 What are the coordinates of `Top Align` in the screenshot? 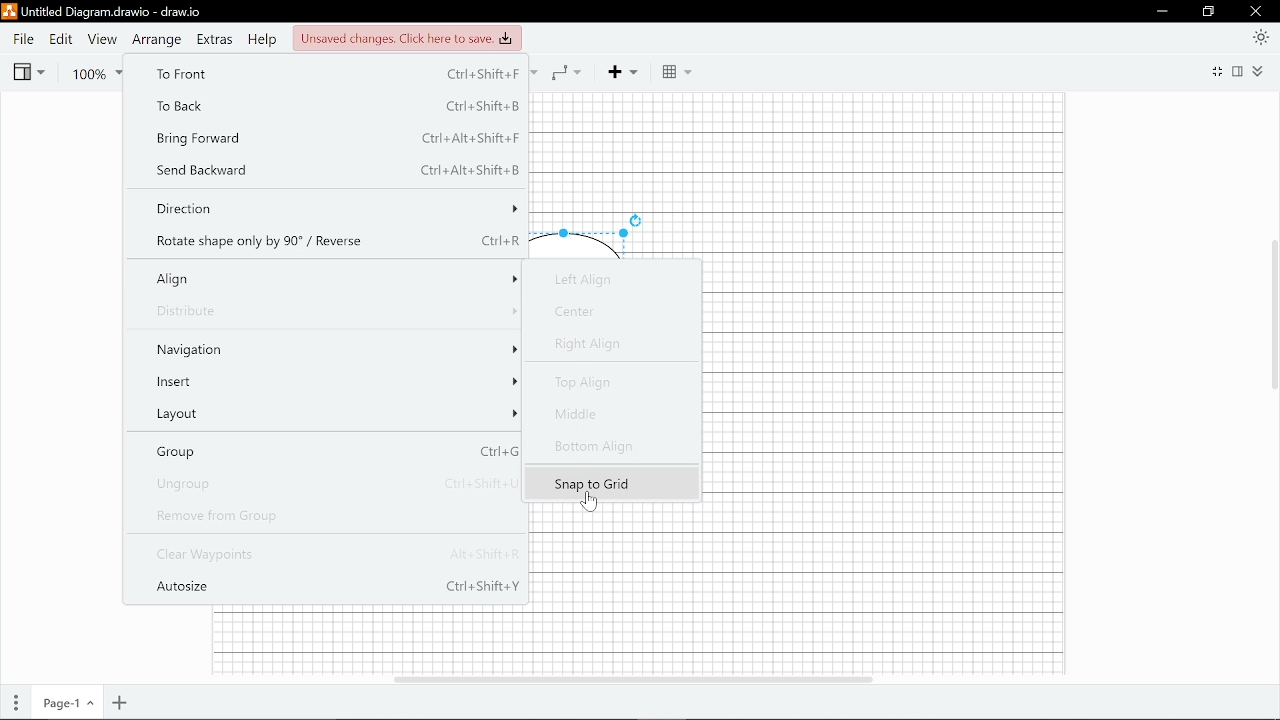 It's located at (609, 385).